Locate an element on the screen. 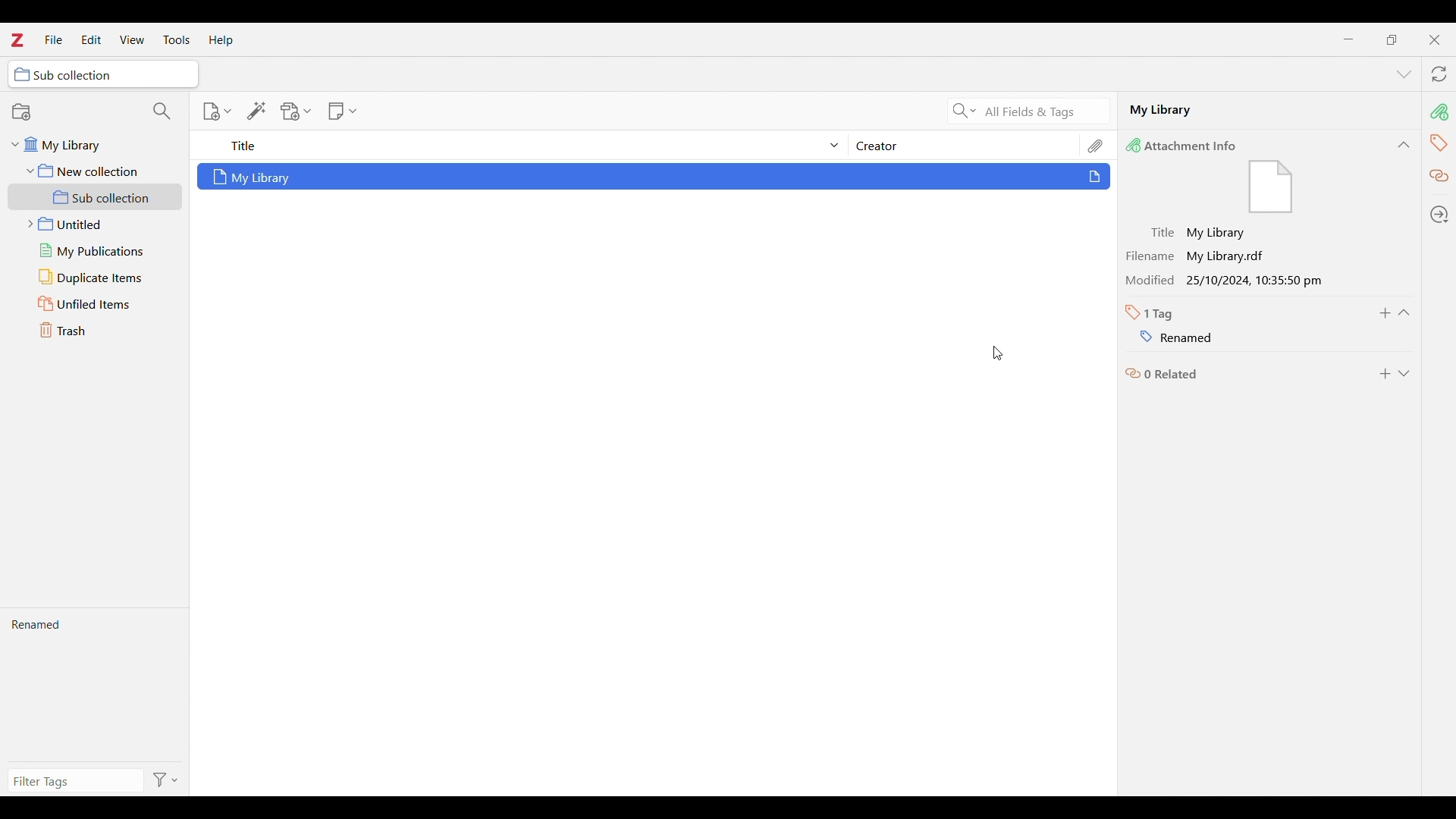 The image size is (1456, 819). My library folder is located at coordinates (93, 143).